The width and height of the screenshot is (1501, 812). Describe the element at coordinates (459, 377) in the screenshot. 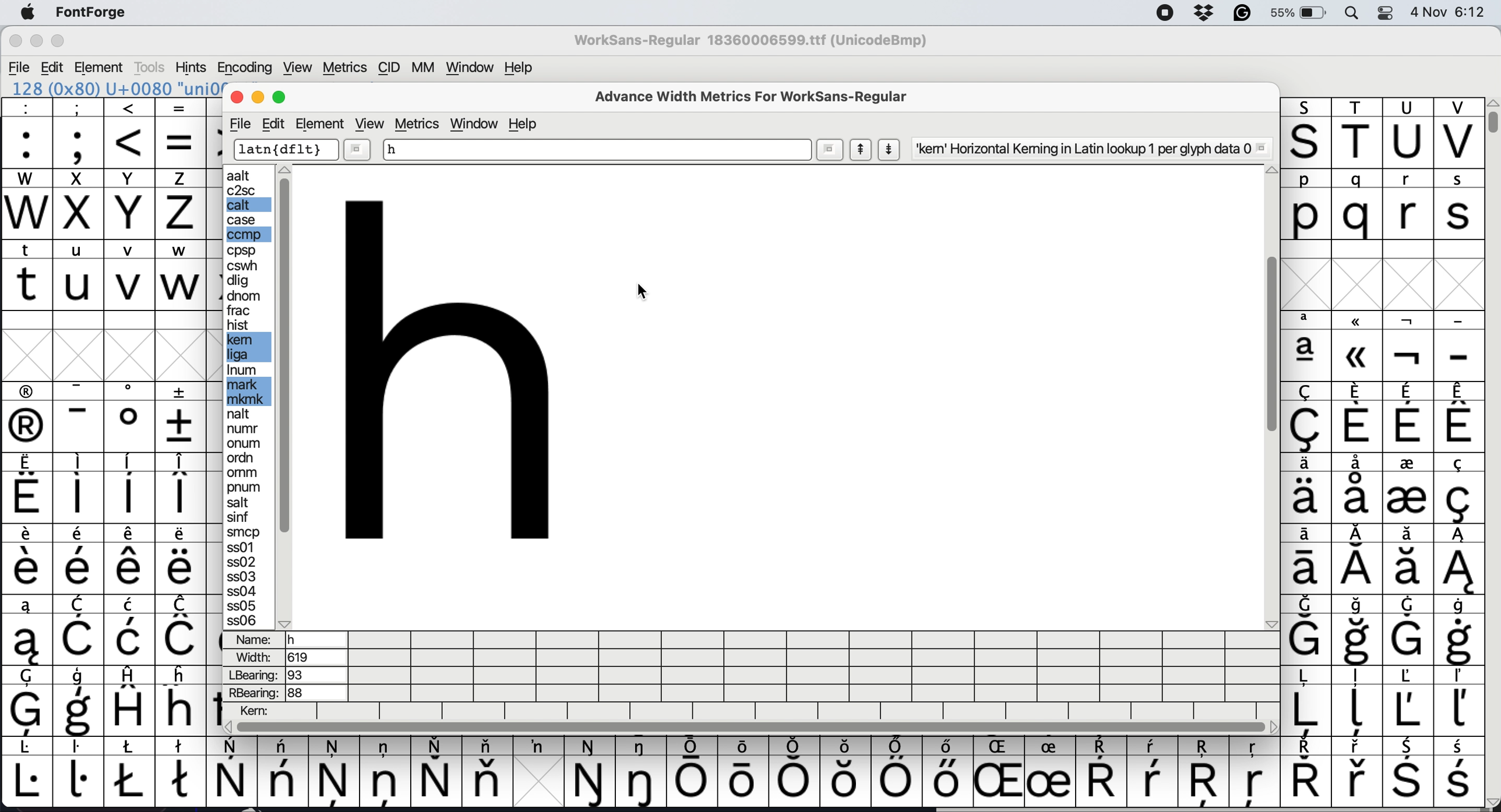

I see `sample letter preview` at that location.